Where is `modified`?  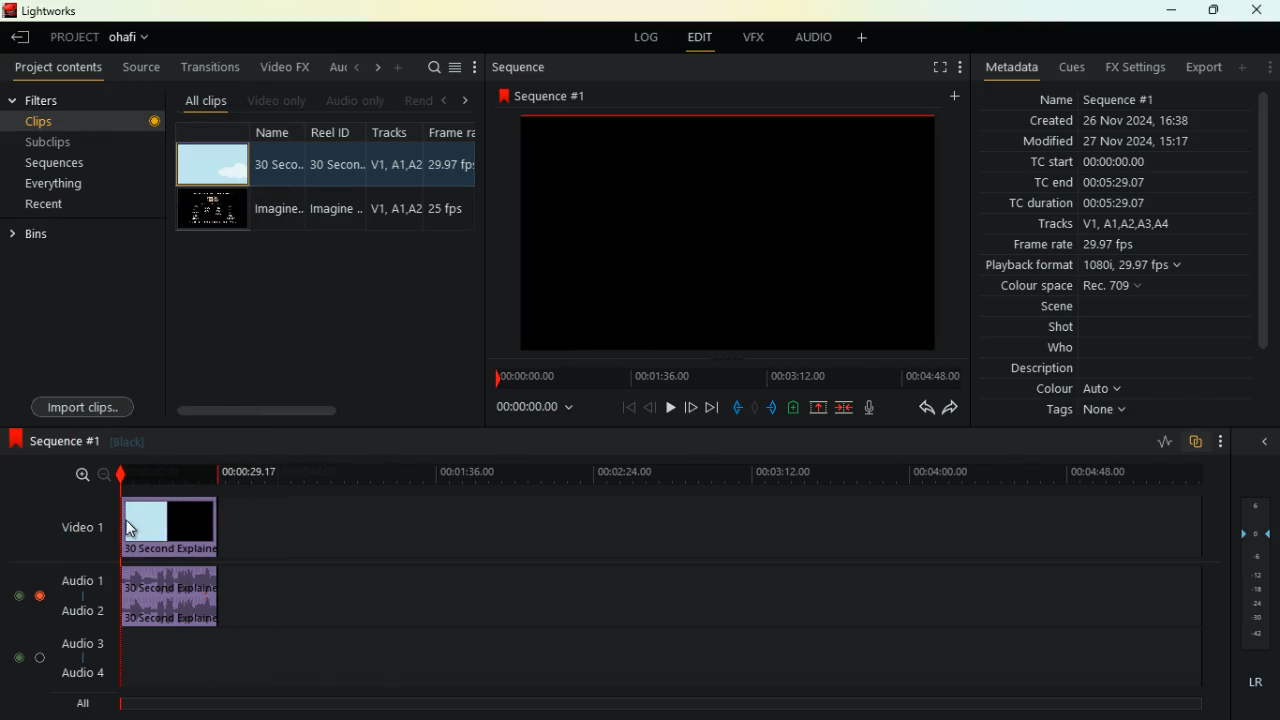
modified is located at coordinates (1102, 142).